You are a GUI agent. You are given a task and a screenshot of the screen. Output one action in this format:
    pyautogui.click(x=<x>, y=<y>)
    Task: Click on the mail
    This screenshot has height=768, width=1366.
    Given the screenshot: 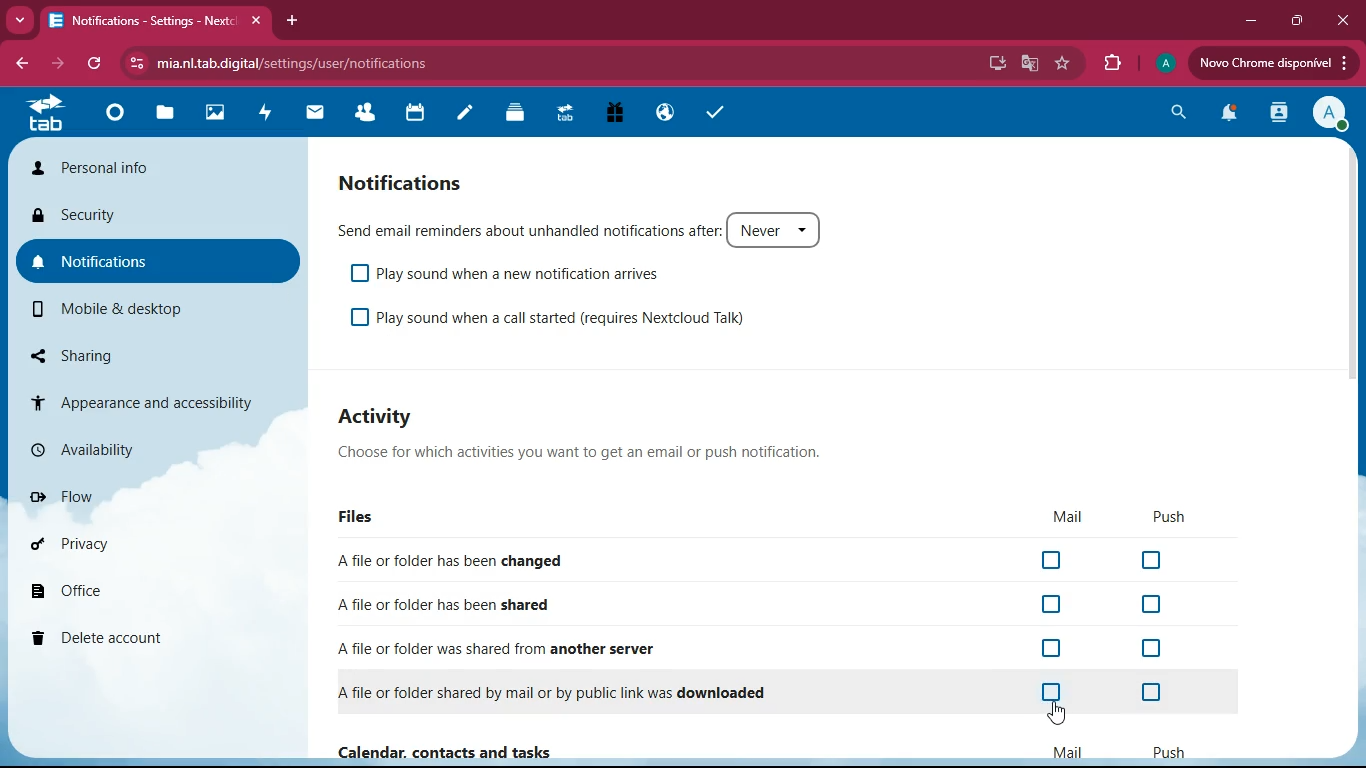 What is the action you would take?
    pyautogui.click(x=1065, y=516)
    